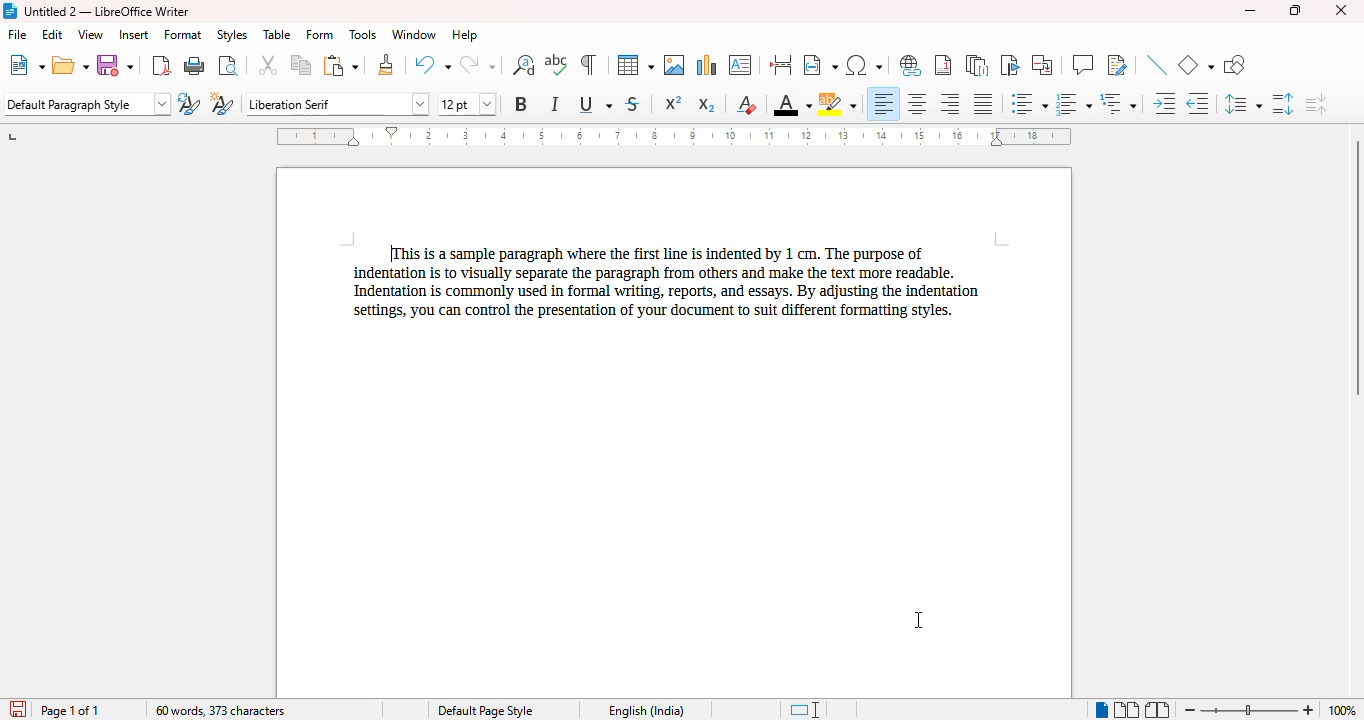  I want to click on insert bookmark, so click(1011, 65).